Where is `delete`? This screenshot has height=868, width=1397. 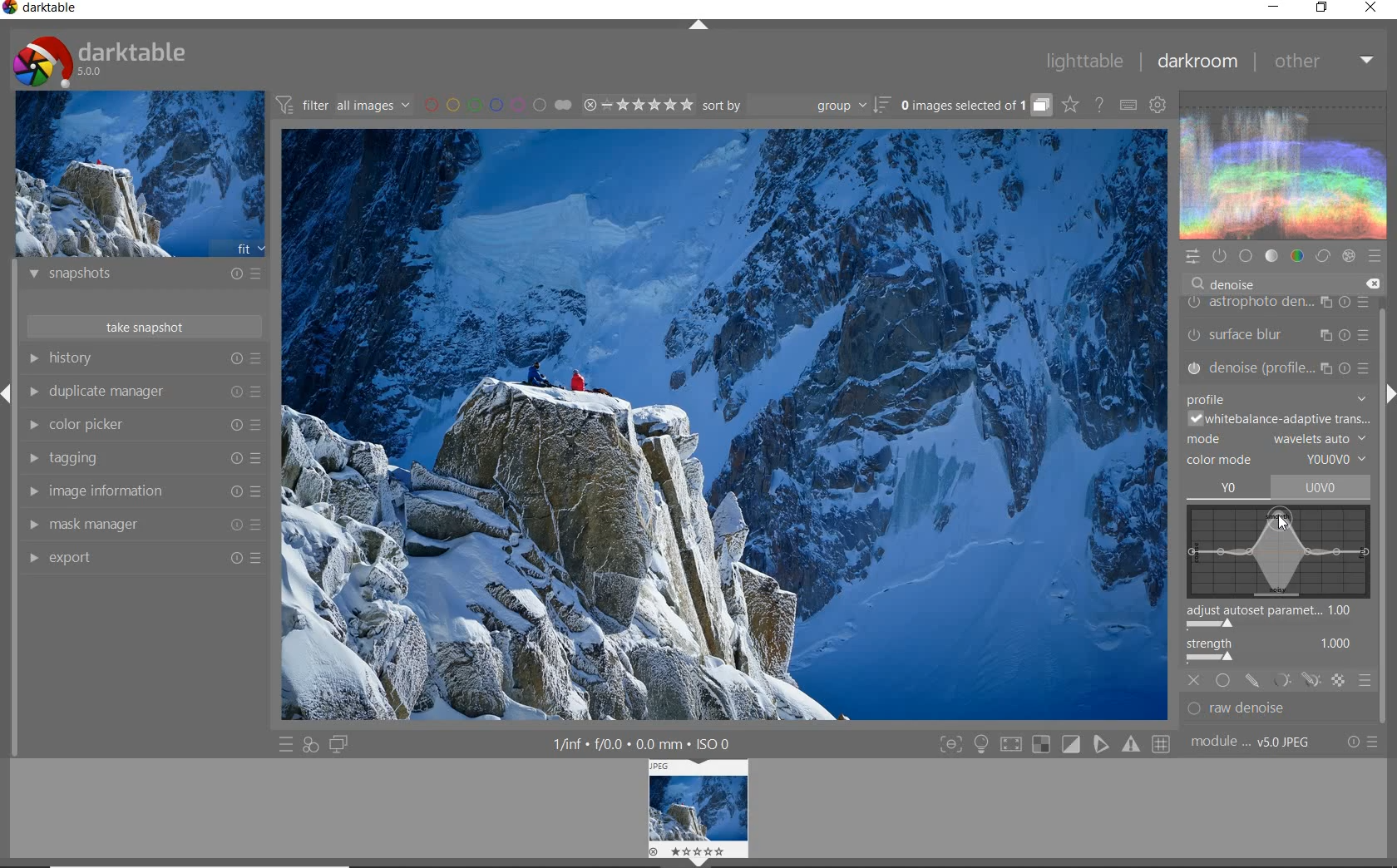
delete is located at coordinates (1371, 284).